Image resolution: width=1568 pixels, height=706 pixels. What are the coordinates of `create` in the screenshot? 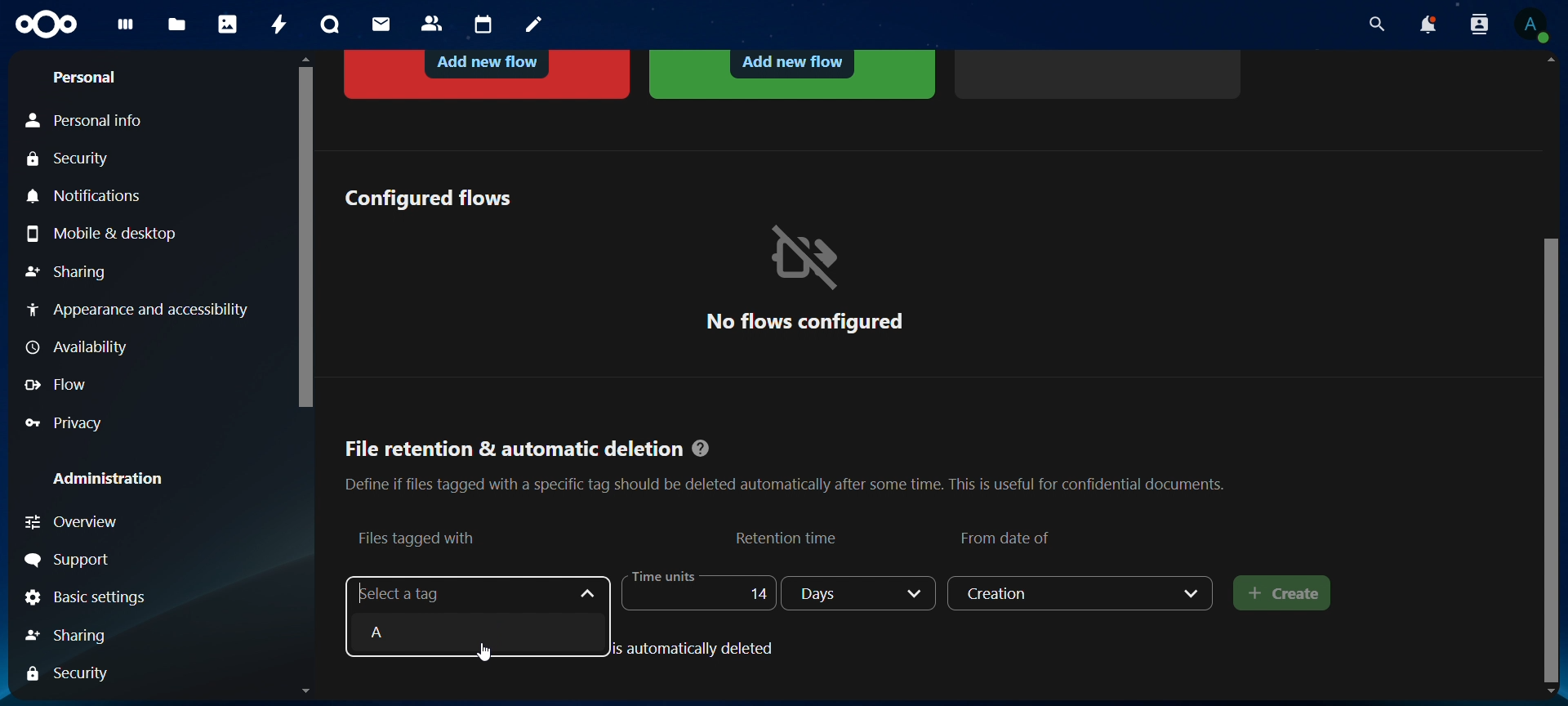 It's located at (1283, 594).